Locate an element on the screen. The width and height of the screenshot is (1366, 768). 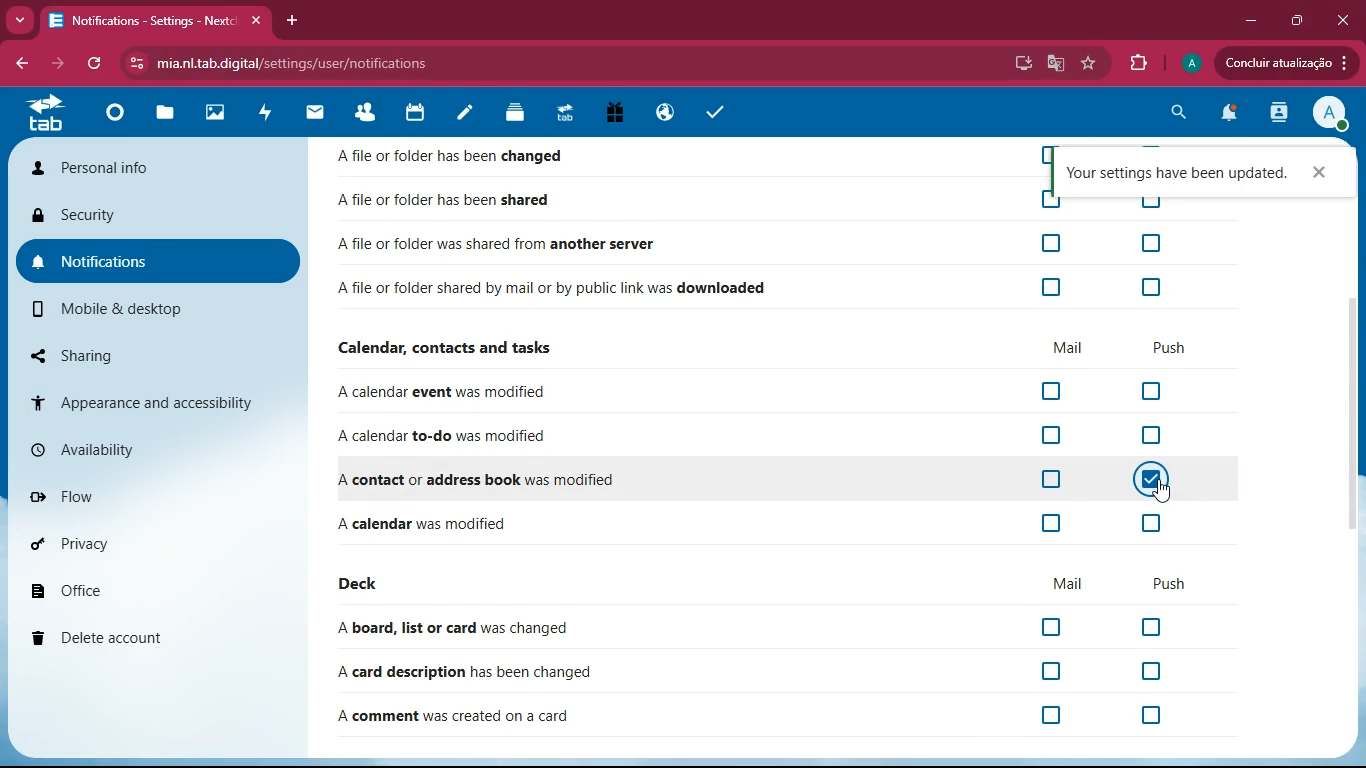
activity is located at coordinates (1274, 114).